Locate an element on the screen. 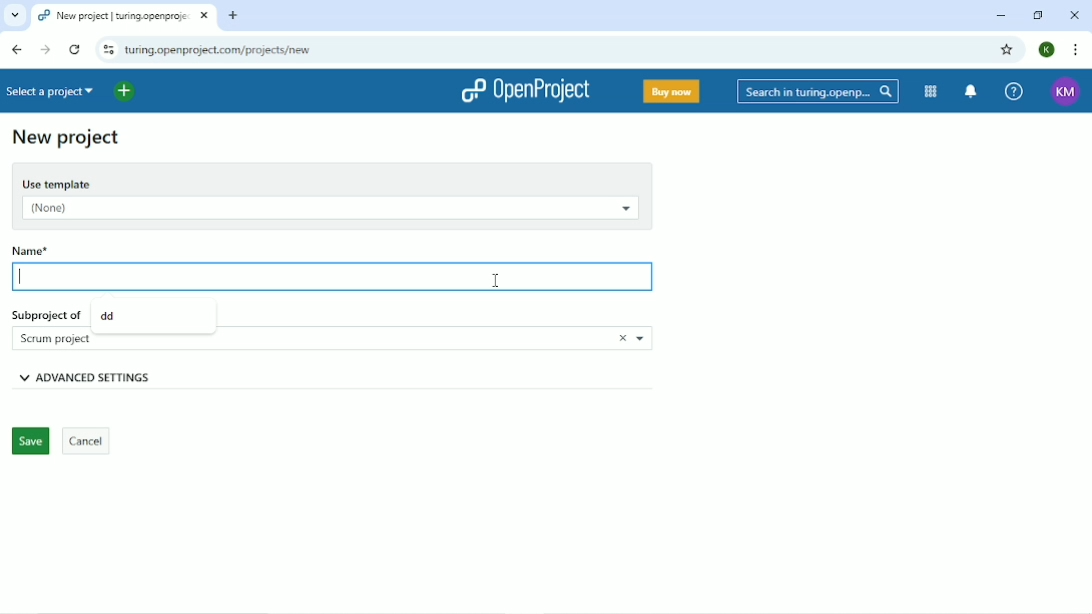 The width and height of the screenshot is (1092, 614). Choose is located at coordinates (642, 339).